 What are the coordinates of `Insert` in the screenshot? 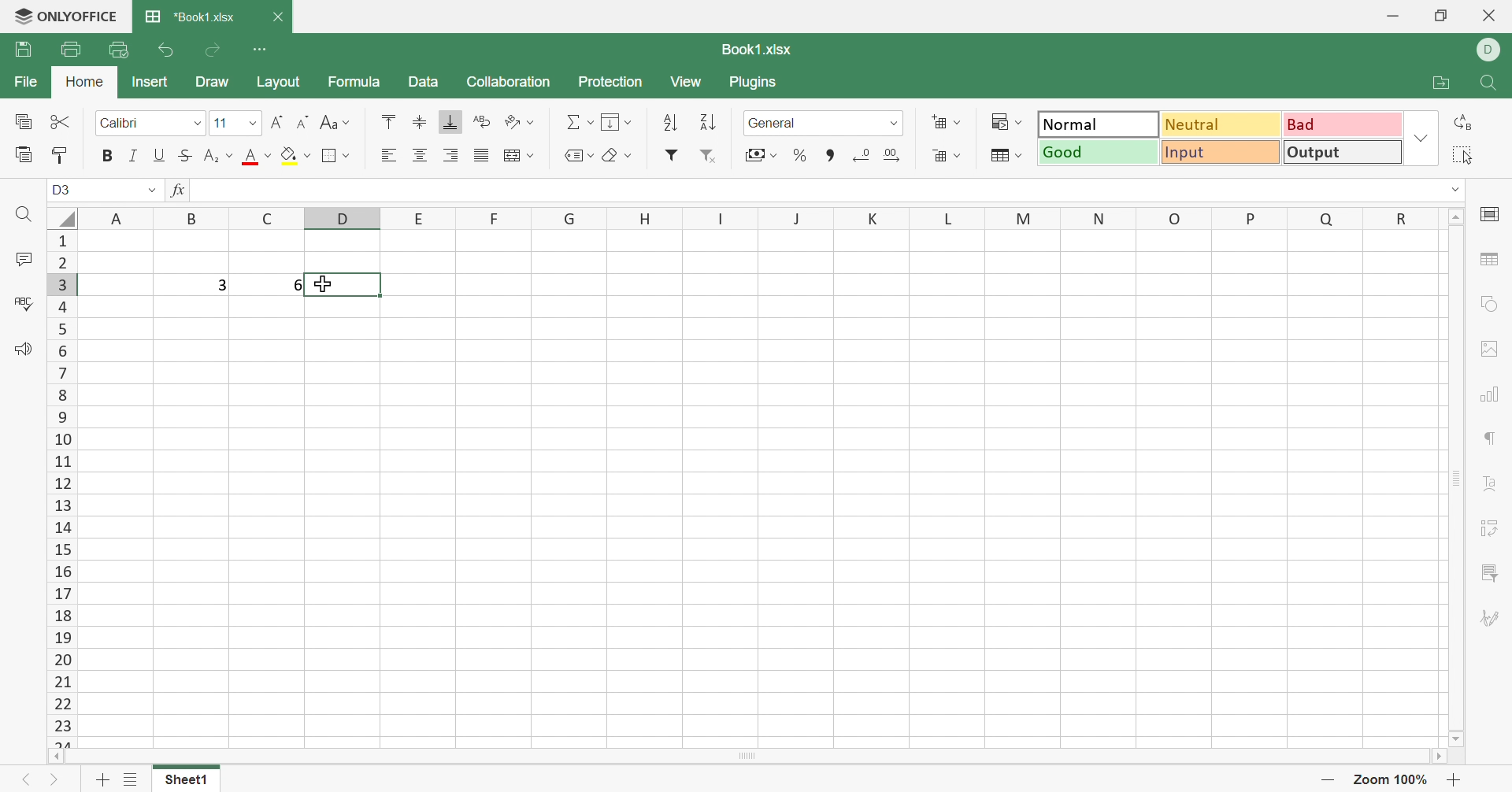 It's located at (154, 82).